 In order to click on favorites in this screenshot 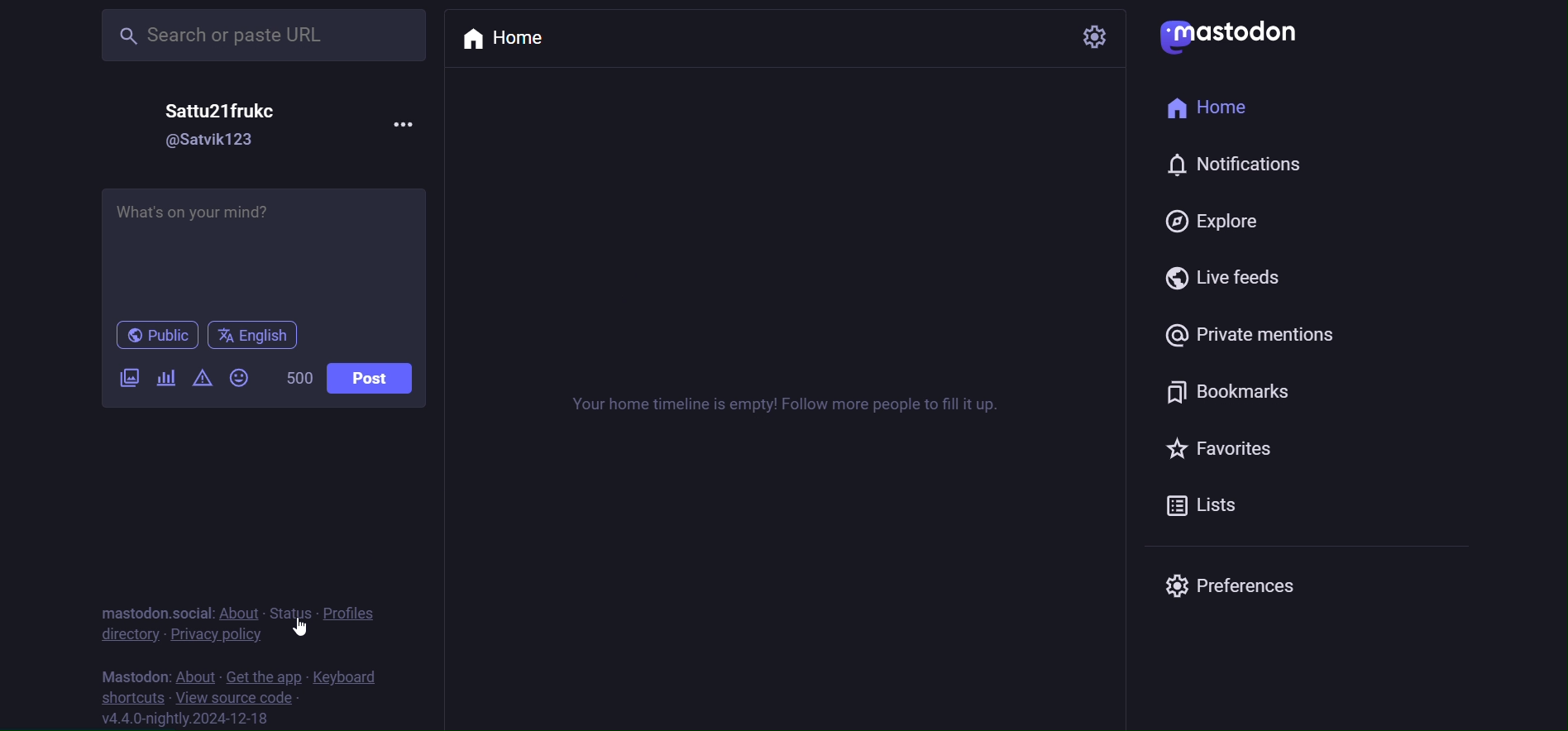, I will do `click(1221, 450)`.